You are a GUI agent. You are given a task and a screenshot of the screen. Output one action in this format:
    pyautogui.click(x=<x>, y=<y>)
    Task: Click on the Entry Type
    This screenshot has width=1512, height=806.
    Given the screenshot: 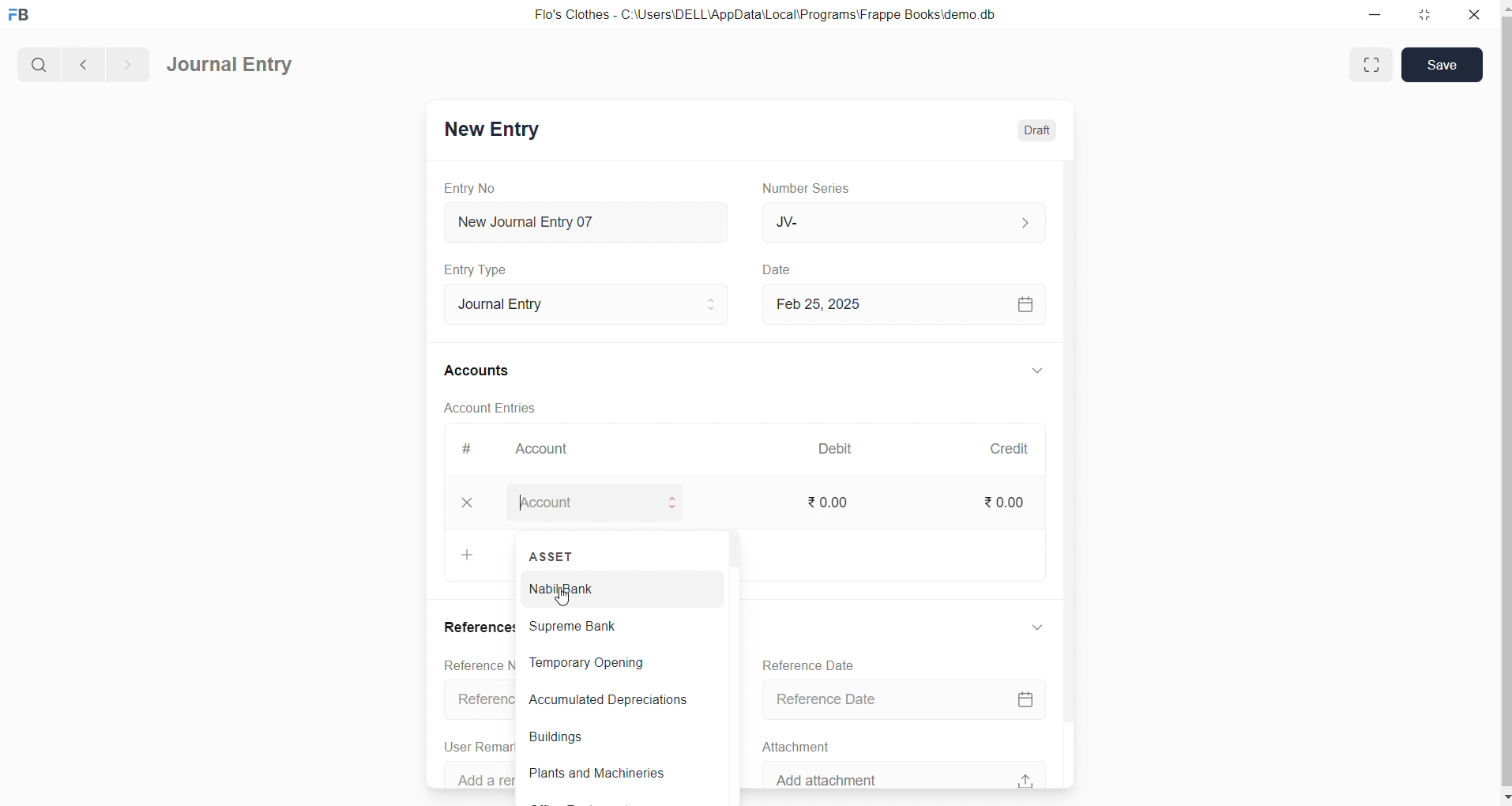 What is the action you would take?
    pyautogui.click(x=485, y=269)
    